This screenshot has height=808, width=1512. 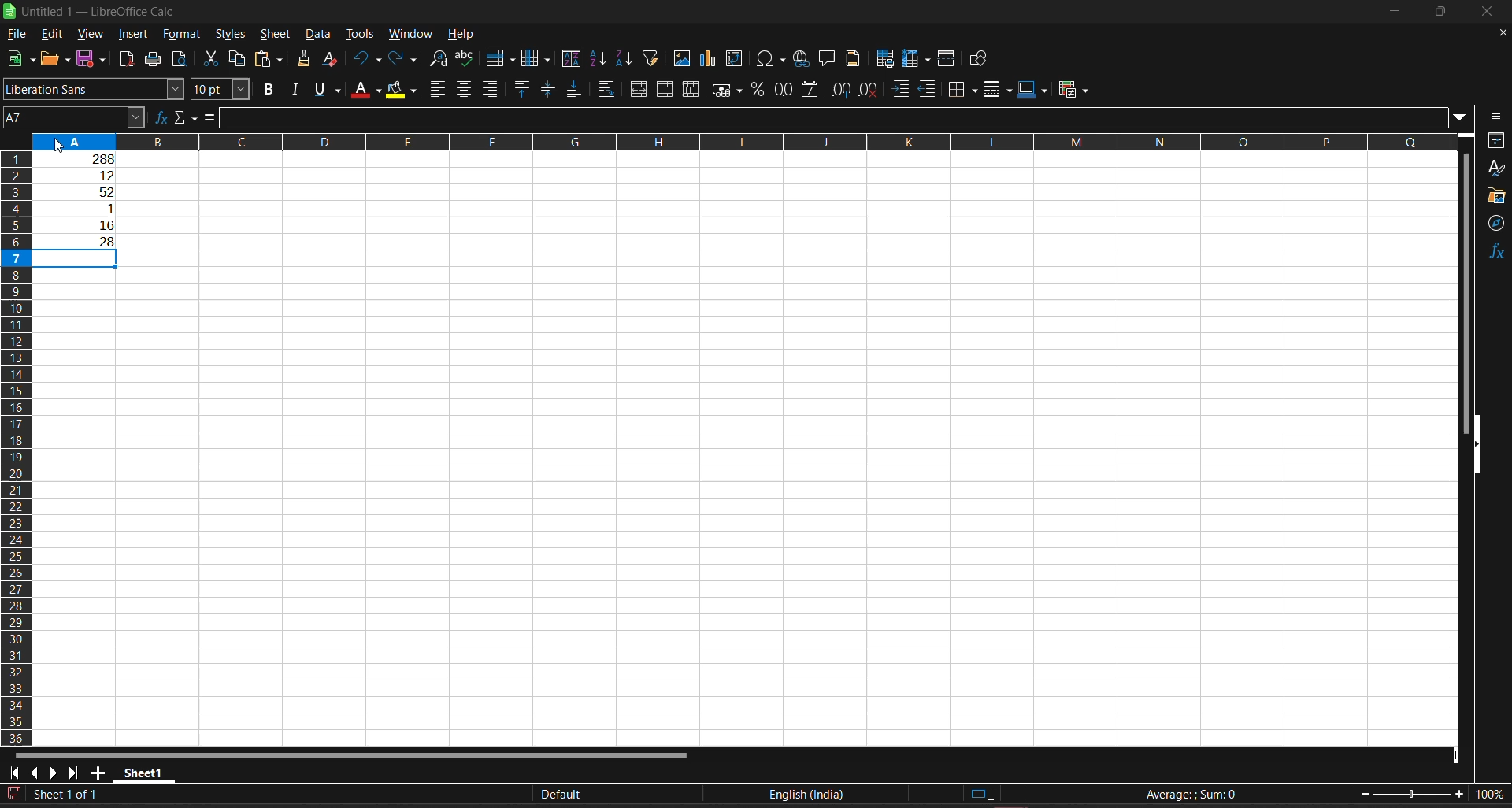 I want to click on increase indent, so click(x=902, y=90).